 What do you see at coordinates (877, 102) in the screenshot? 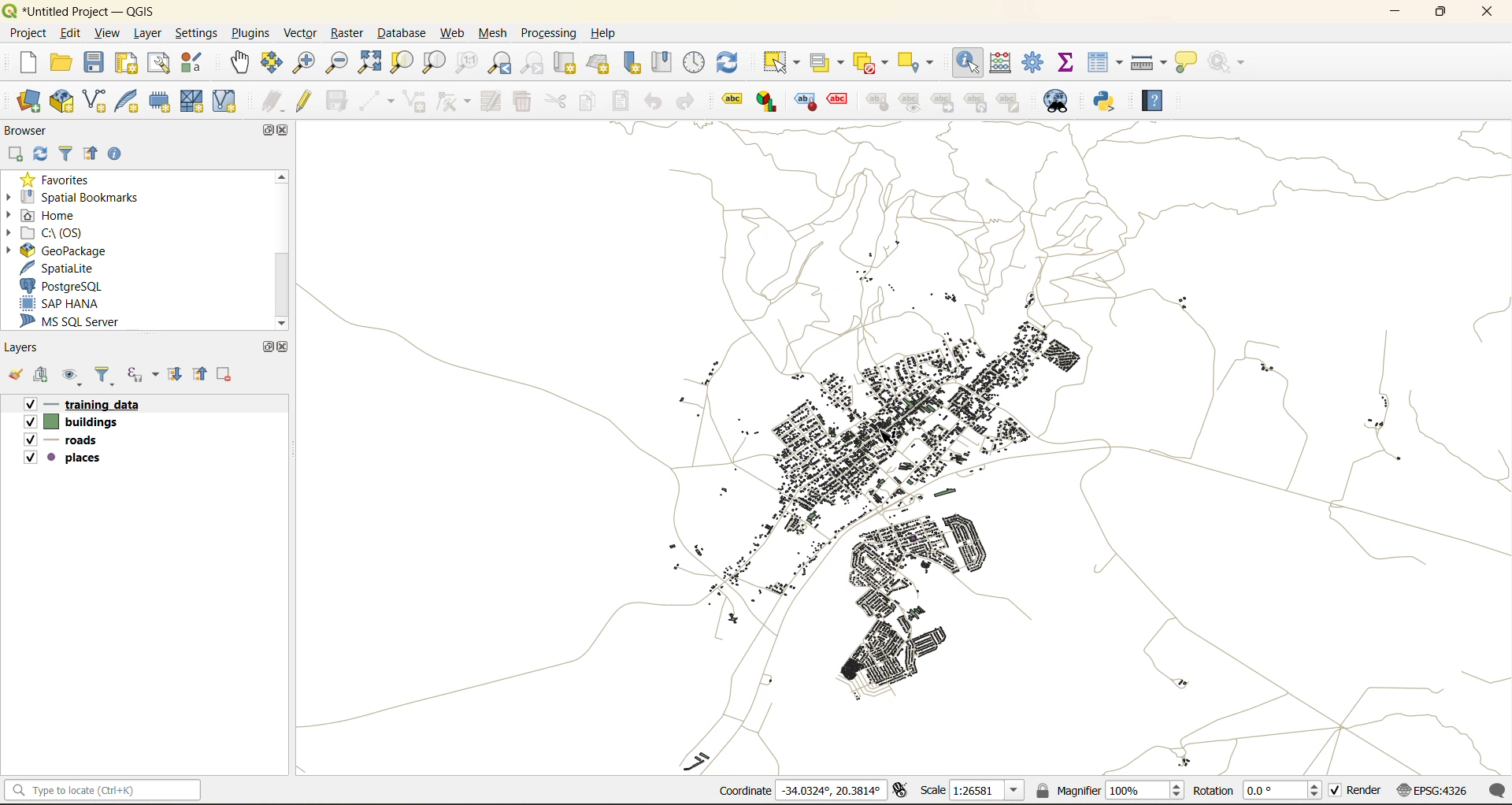
I see `style` at bounding box center [877, 102].